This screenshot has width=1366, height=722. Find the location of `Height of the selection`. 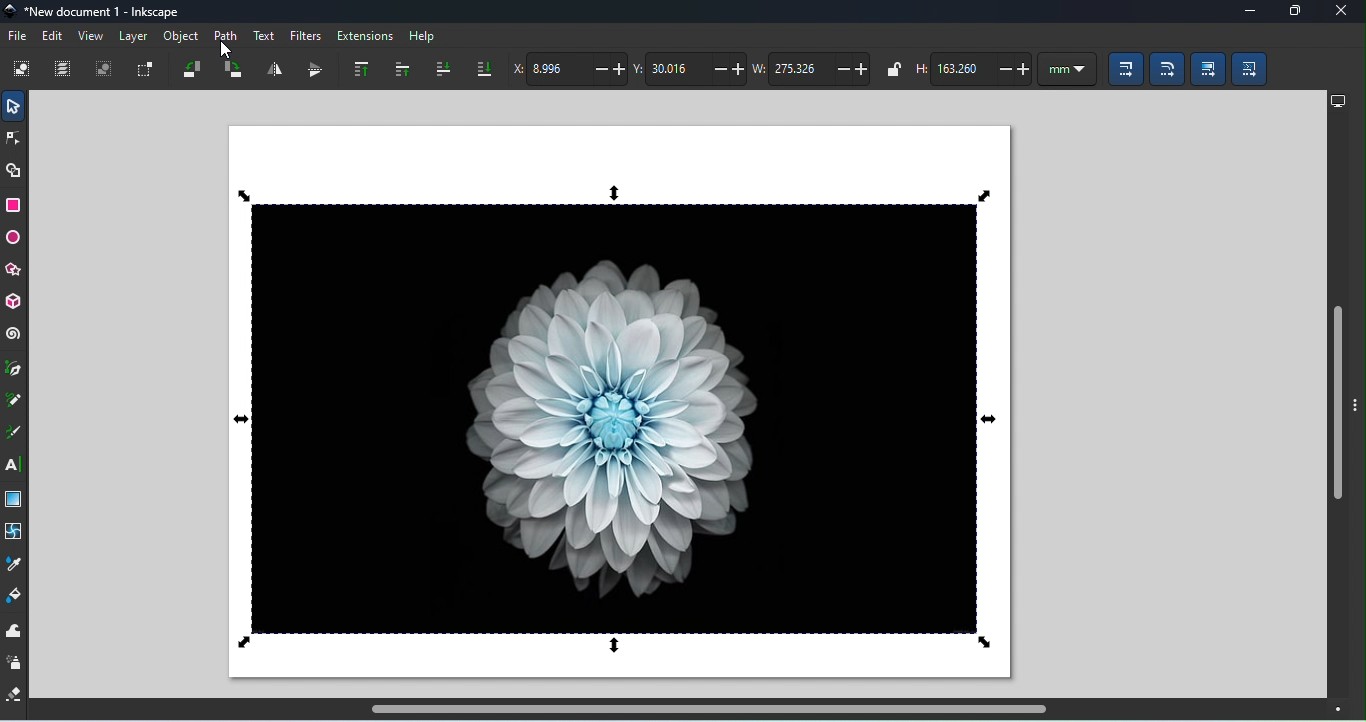

Height of the selection is located at coordinates (973, 70).